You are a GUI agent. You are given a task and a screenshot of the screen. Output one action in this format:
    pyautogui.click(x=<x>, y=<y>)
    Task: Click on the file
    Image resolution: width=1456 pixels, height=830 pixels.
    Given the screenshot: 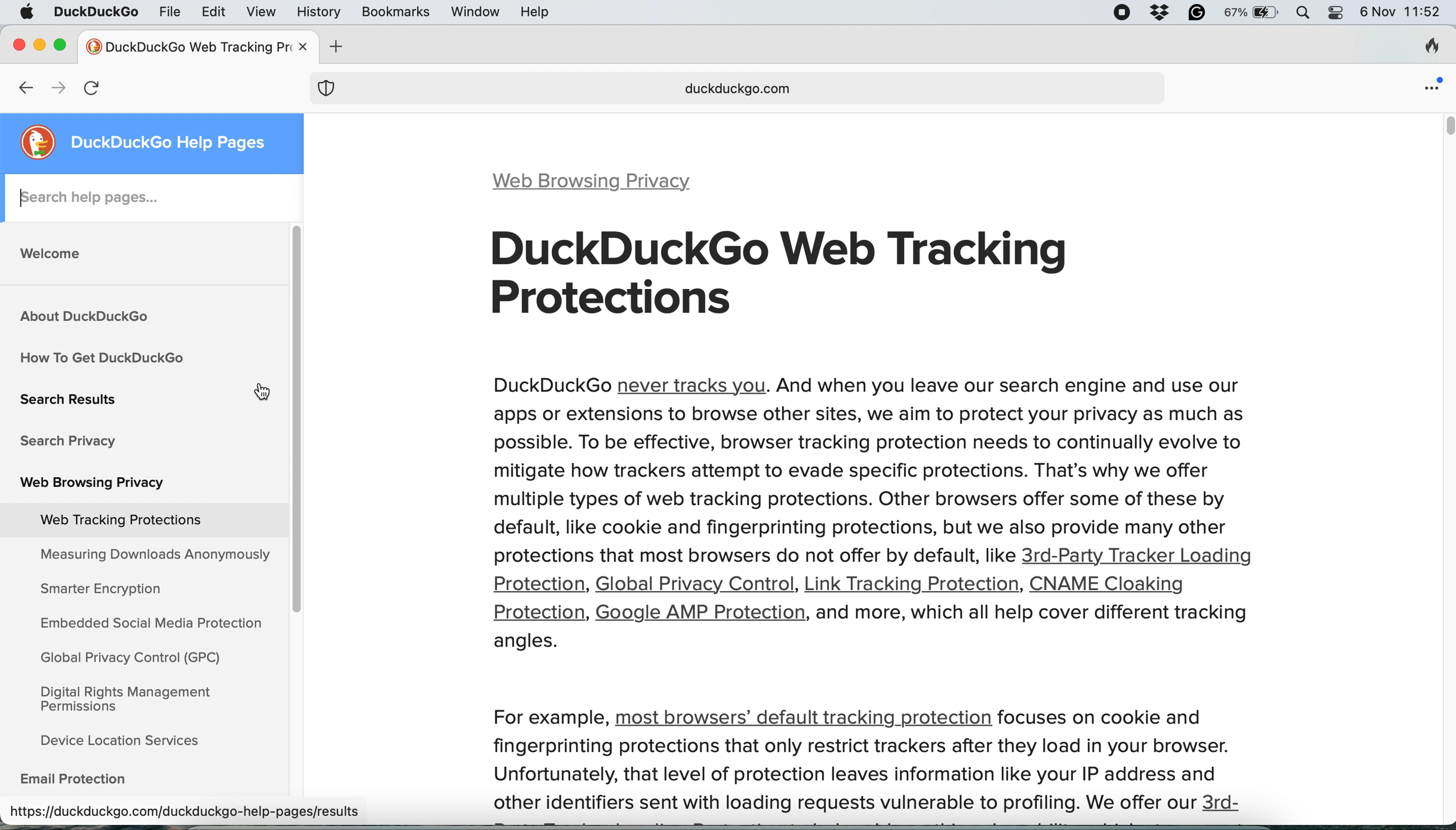 What is the action you would take?
    pyautogui.click(x=167, y=13)
    